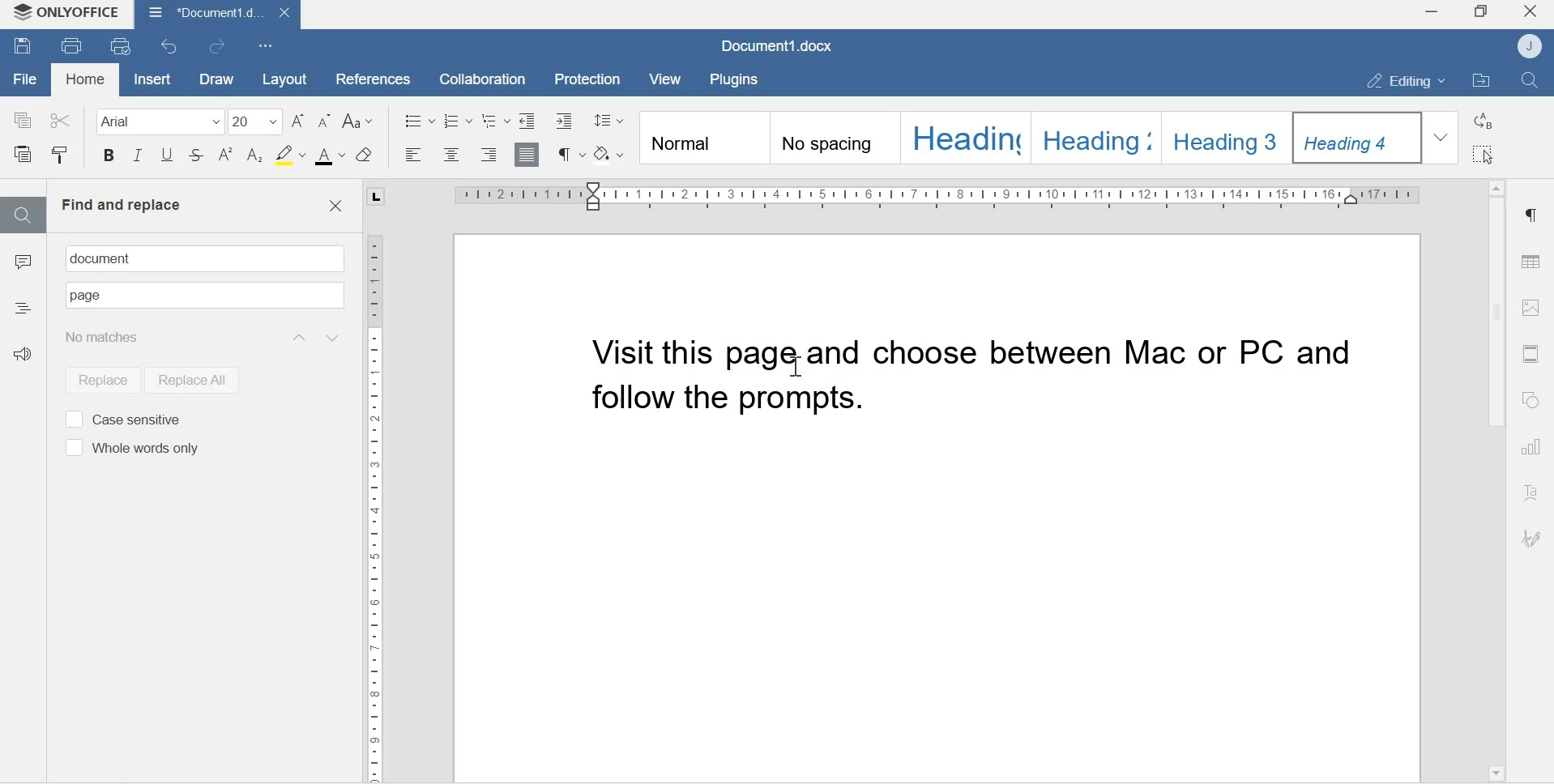 This screenshot has height=784, width=1554. Describe the element at coordinates (1481, 13) in the screenshot. I see `Maximize` at that location.